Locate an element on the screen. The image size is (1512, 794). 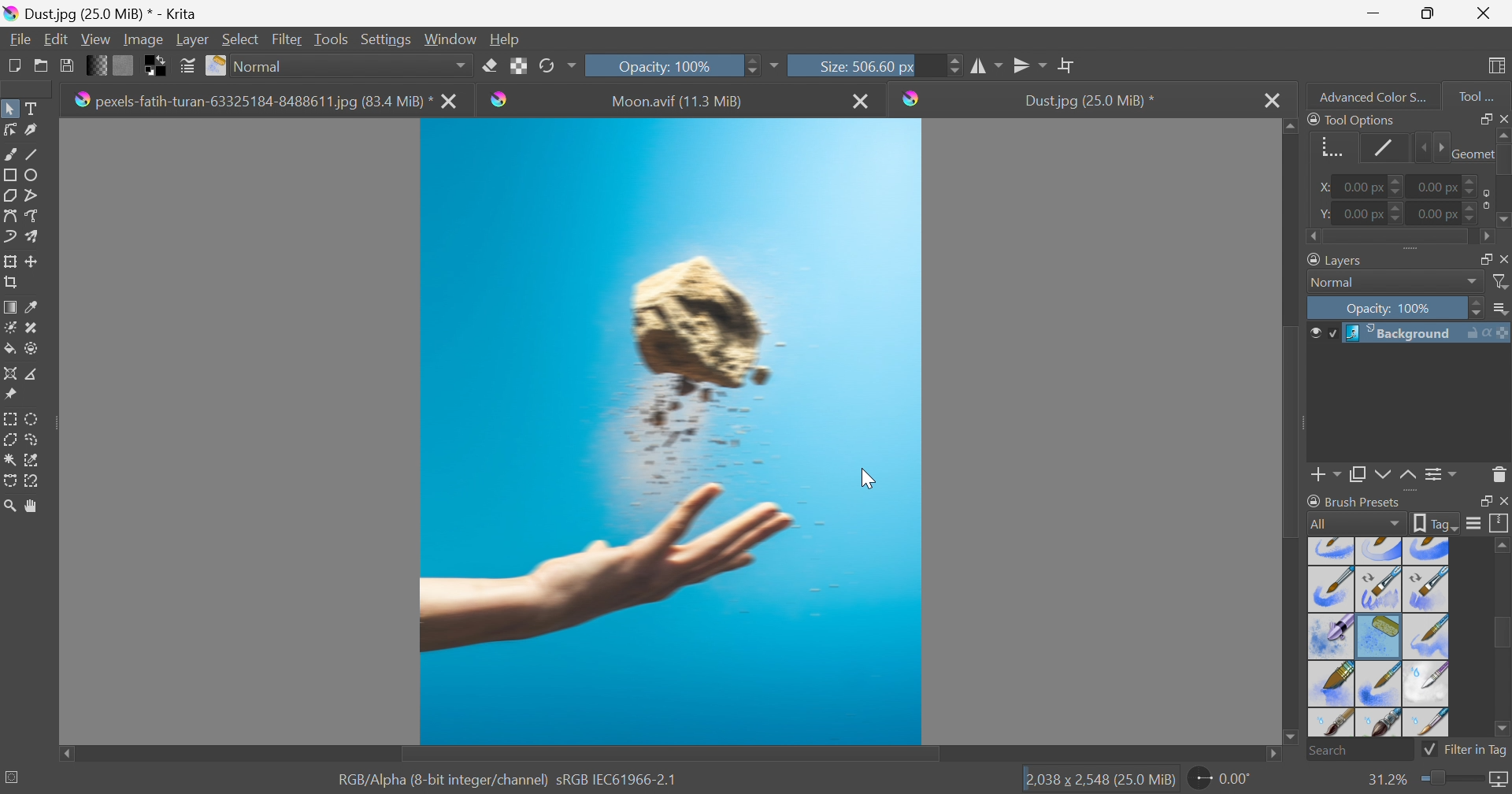
Filter in tag is located at coordinates (1466, 750).